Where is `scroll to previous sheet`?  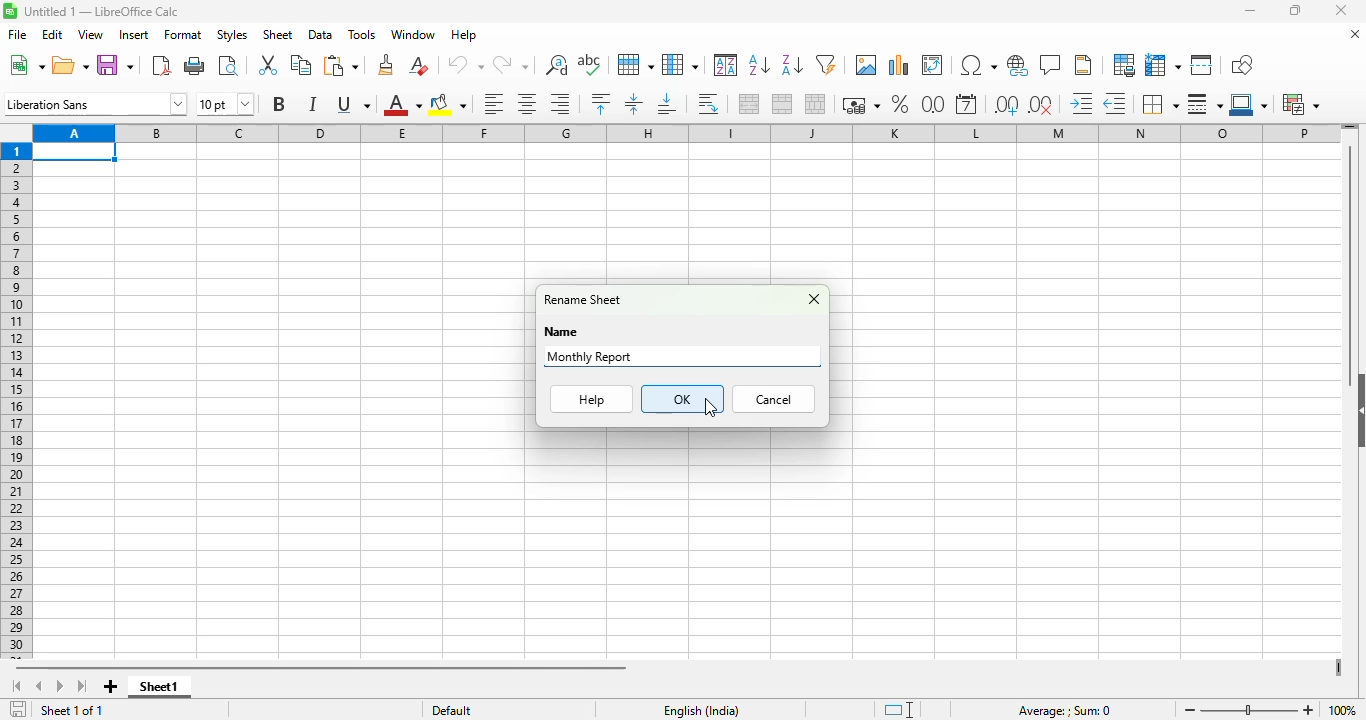
scroll to previous sheet is located at coordinates (39, 687).